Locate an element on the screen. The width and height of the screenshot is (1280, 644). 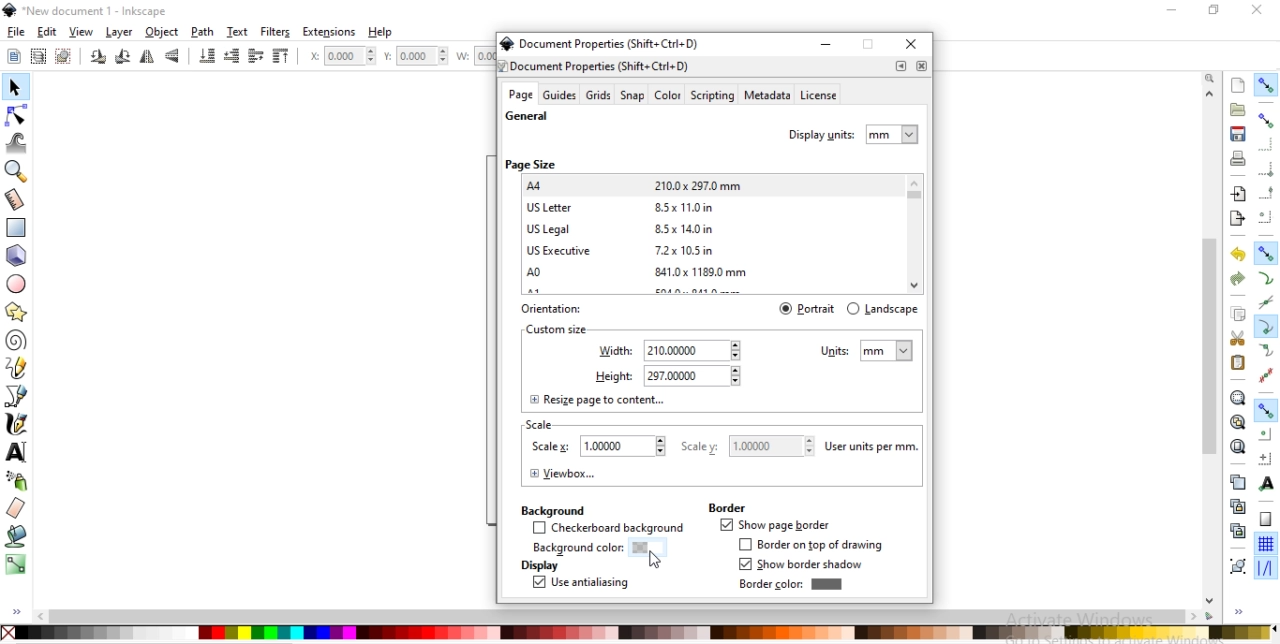
page size is located at coordinates (530, 164).